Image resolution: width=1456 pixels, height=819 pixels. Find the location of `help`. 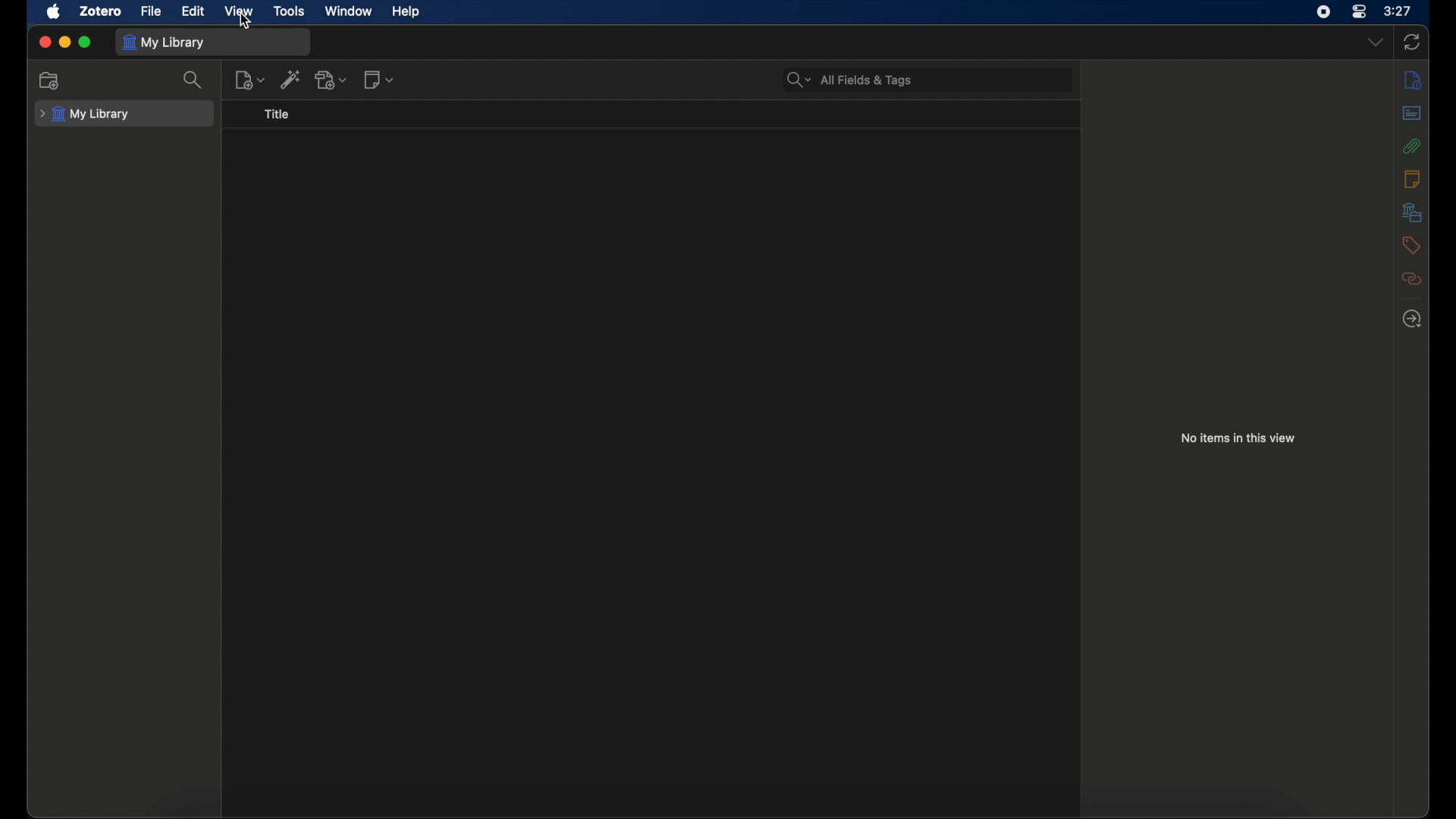

help is located at coordinates (406, 12).